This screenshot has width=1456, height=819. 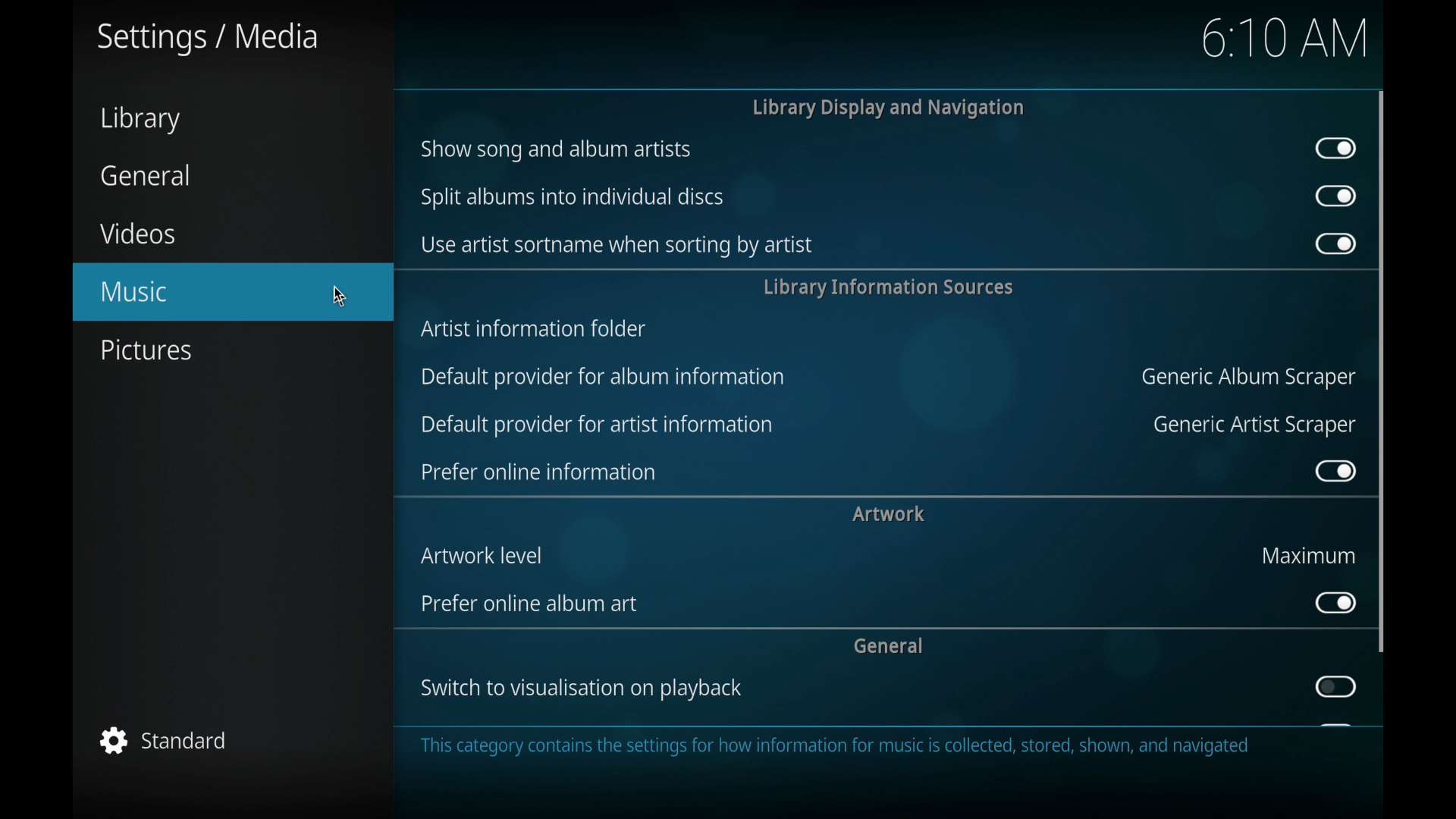 I want to click on settings/media, so click(x=208, y=39).